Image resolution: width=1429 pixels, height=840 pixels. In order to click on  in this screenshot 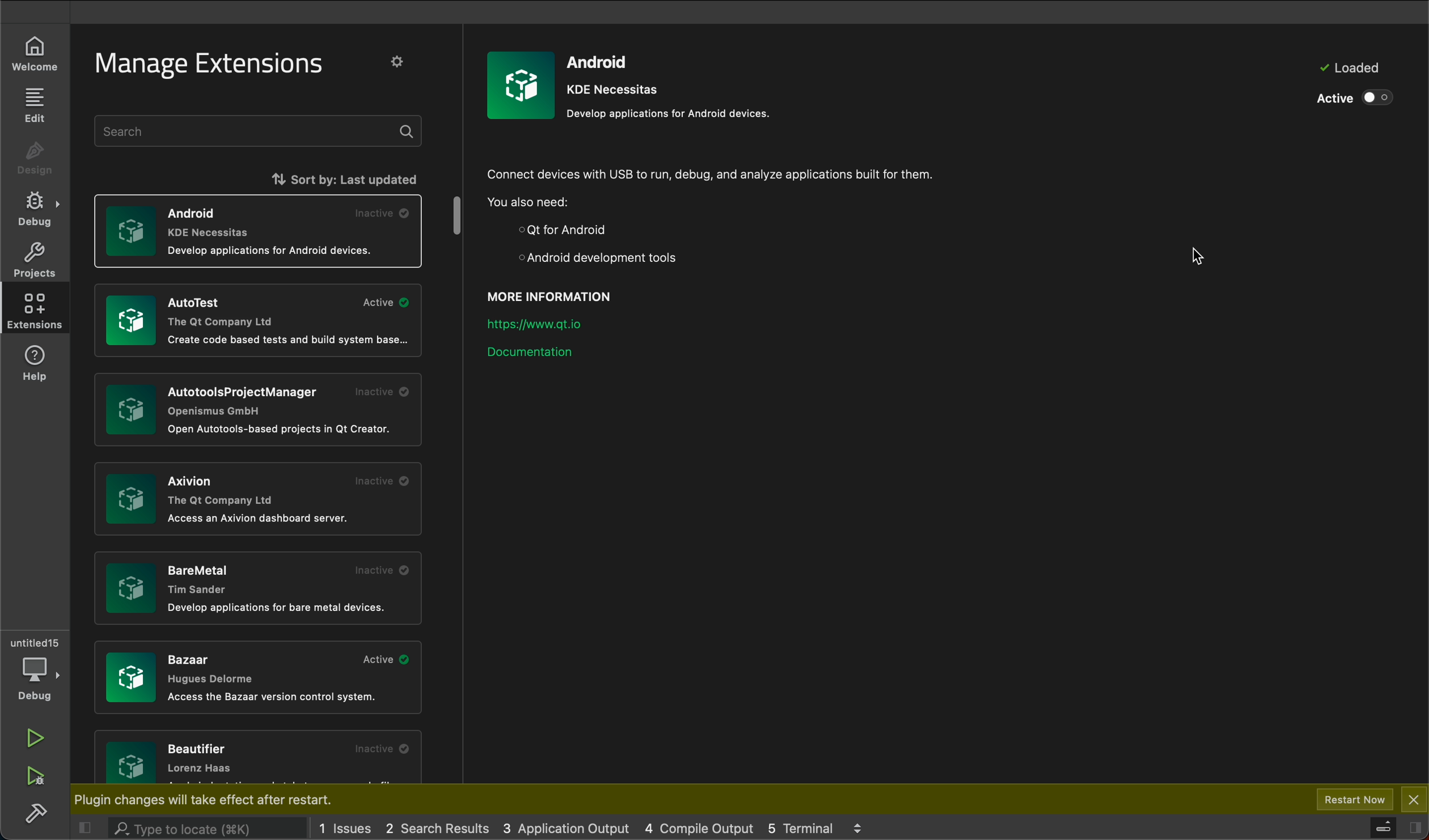, I will do `click(253, 409)`.